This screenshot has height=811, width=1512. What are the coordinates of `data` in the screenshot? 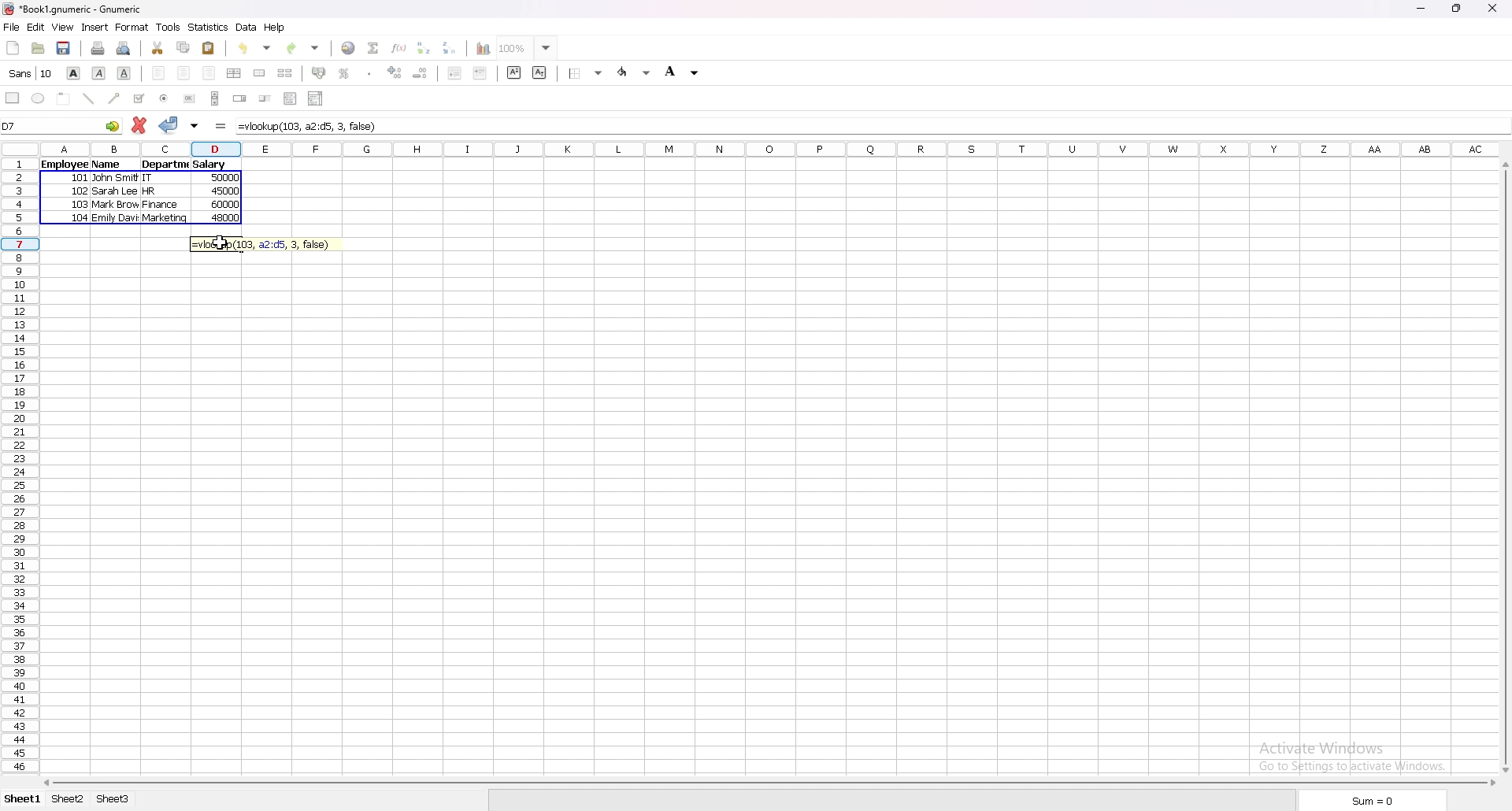 It's located at (246, 28).